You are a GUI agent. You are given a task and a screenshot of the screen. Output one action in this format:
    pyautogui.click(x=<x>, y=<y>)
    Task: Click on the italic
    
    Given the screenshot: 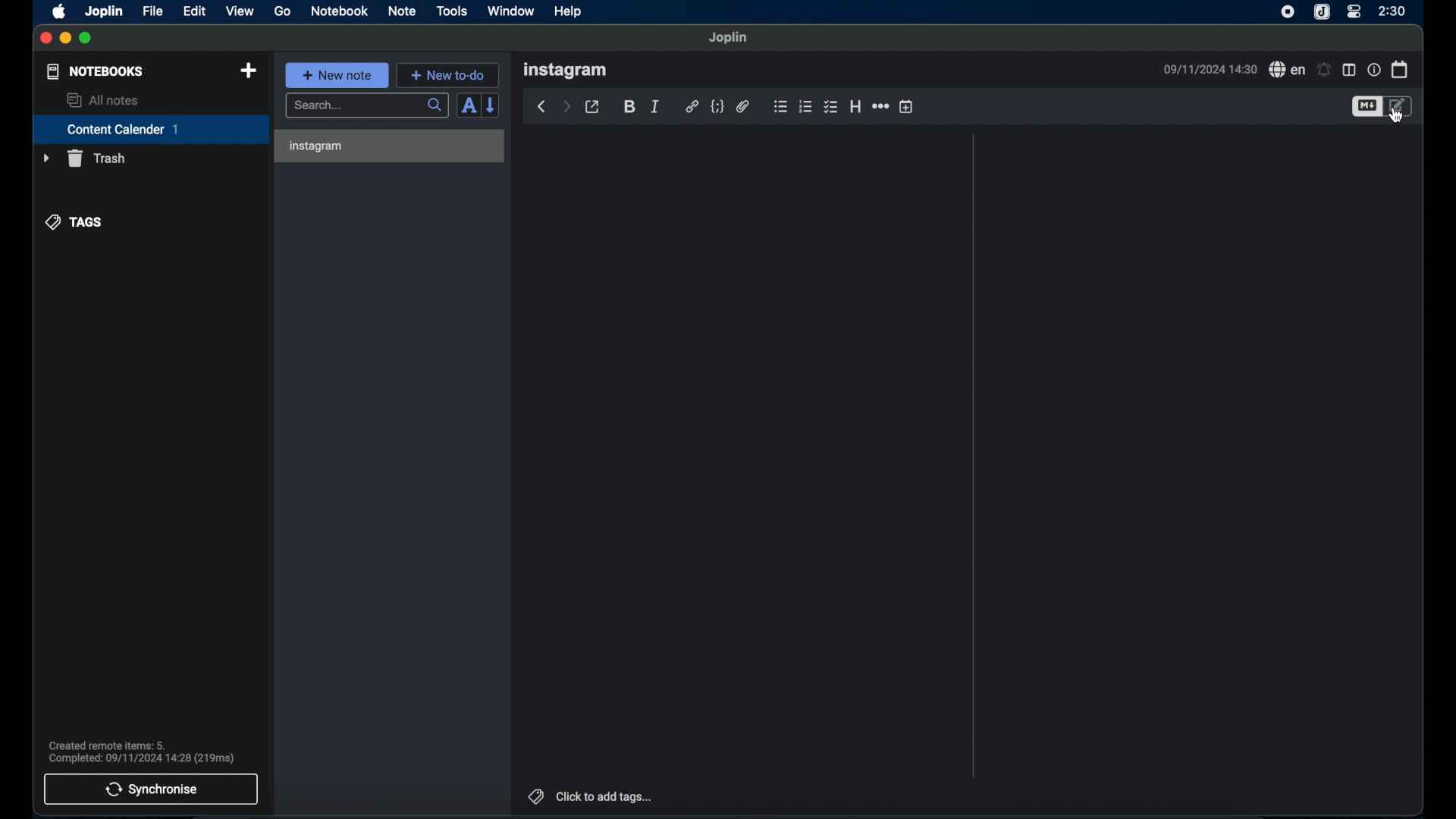 What is the action you would take?
    pyautogui.click(x=656, y=107)
    